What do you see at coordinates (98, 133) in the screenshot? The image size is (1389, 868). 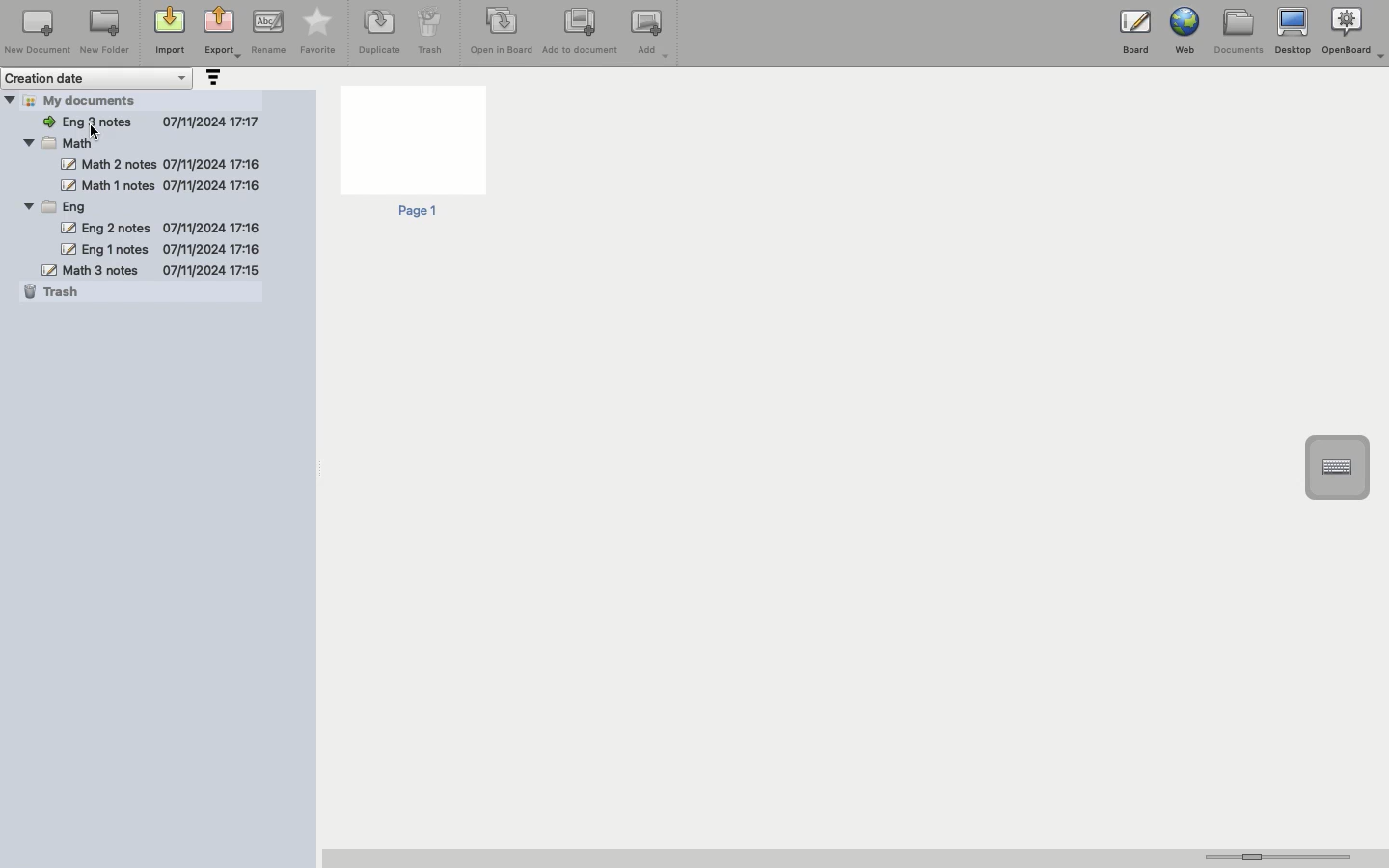 I see `cursor` at bounding box center [98, 133].